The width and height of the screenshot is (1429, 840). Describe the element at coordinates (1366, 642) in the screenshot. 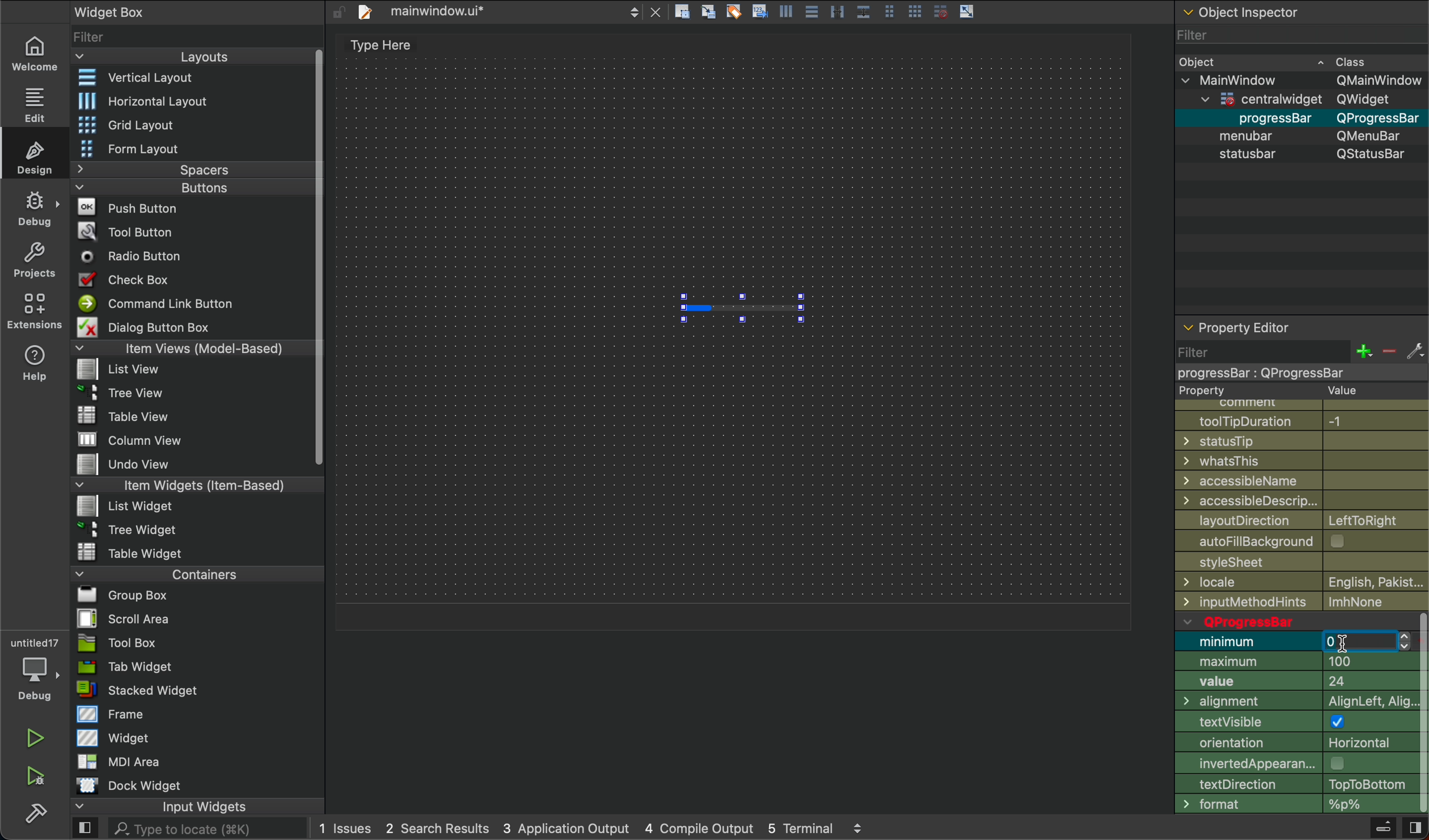

I see `number input` at that location.